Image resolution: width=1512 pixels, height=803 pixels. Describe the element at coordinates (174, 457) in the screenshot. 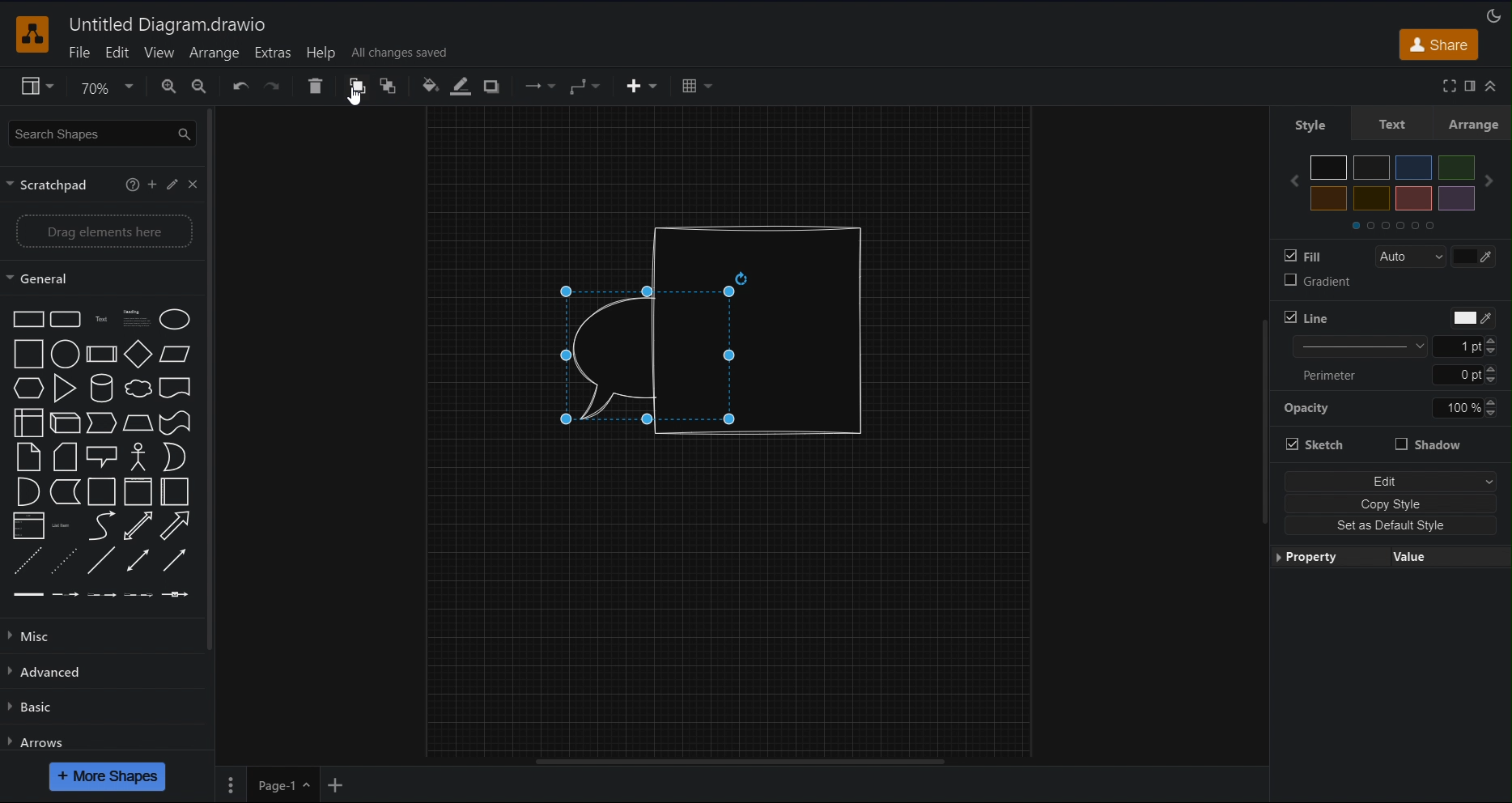

I see `Or` at that location.